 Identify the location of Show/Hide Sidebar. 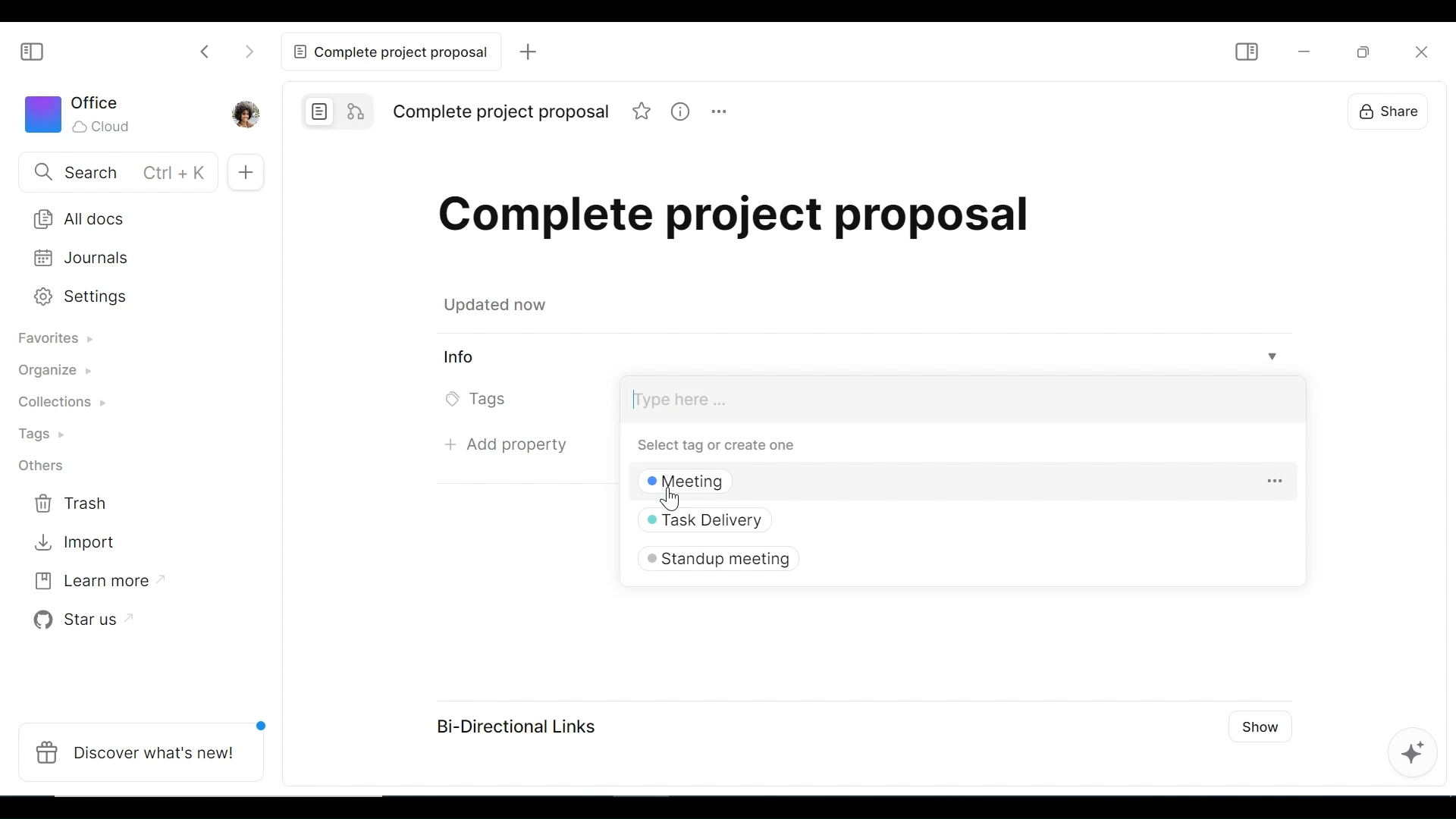
(1244, 53).